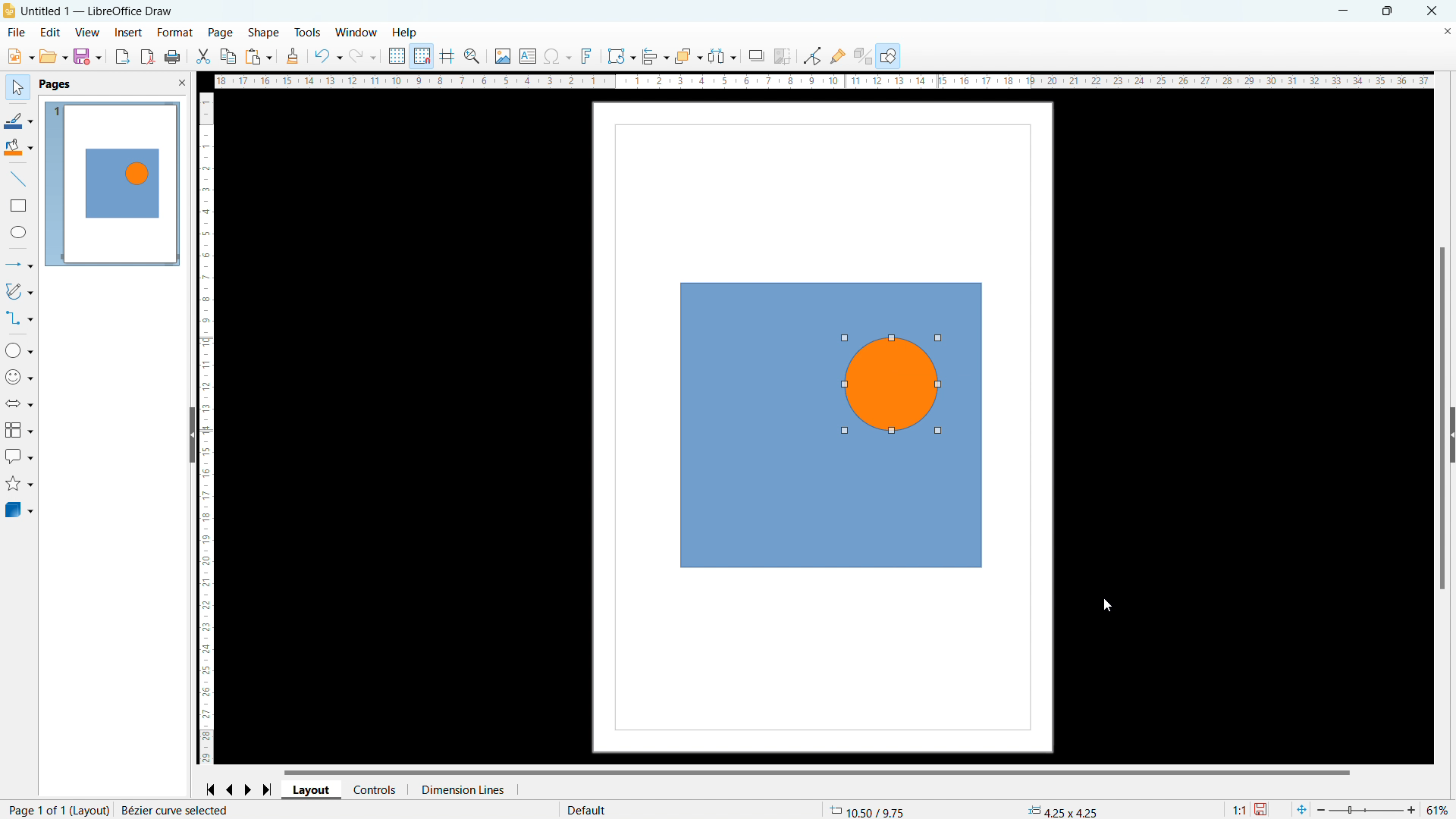 The image size is (1456, 819). Describe the element at coordinates (471, 56) in the screenshot. I see `xoom snd pan` at that location.